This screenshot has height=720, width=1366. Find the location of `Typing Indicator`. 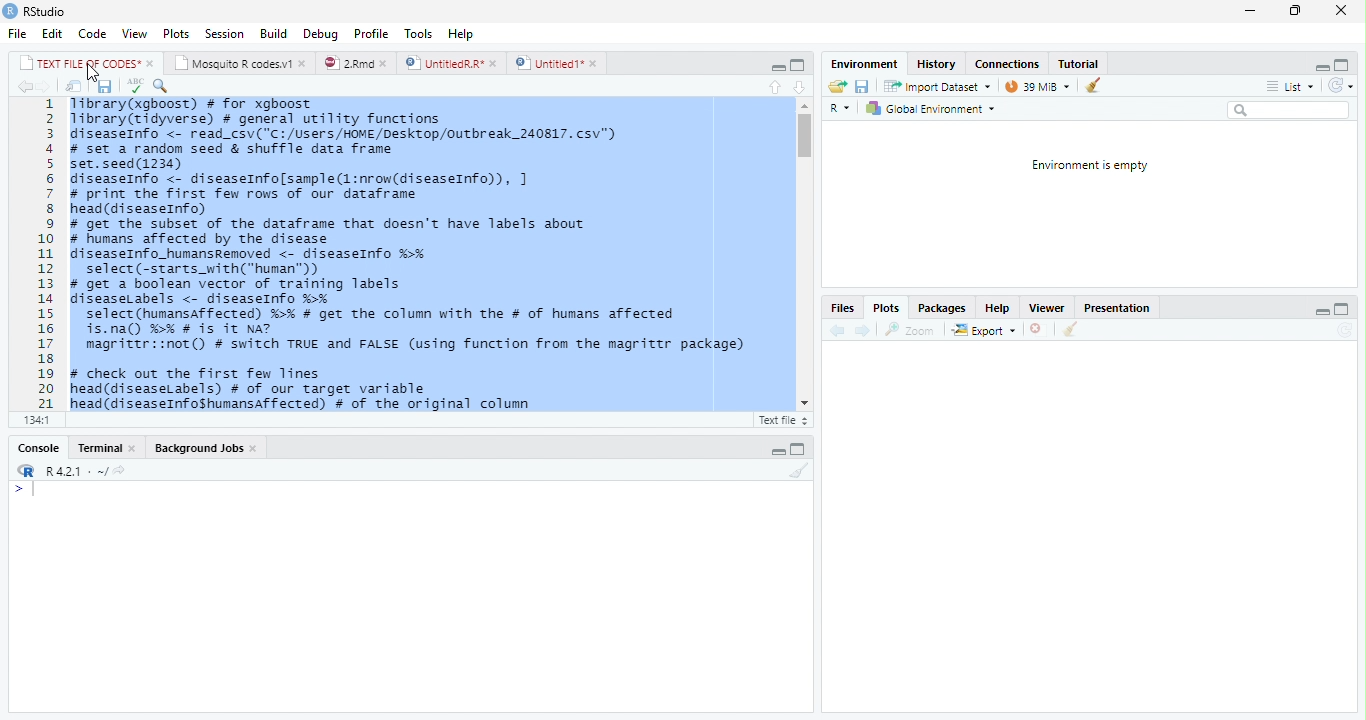

Typing Indicator is located at coordinates (23, 489).